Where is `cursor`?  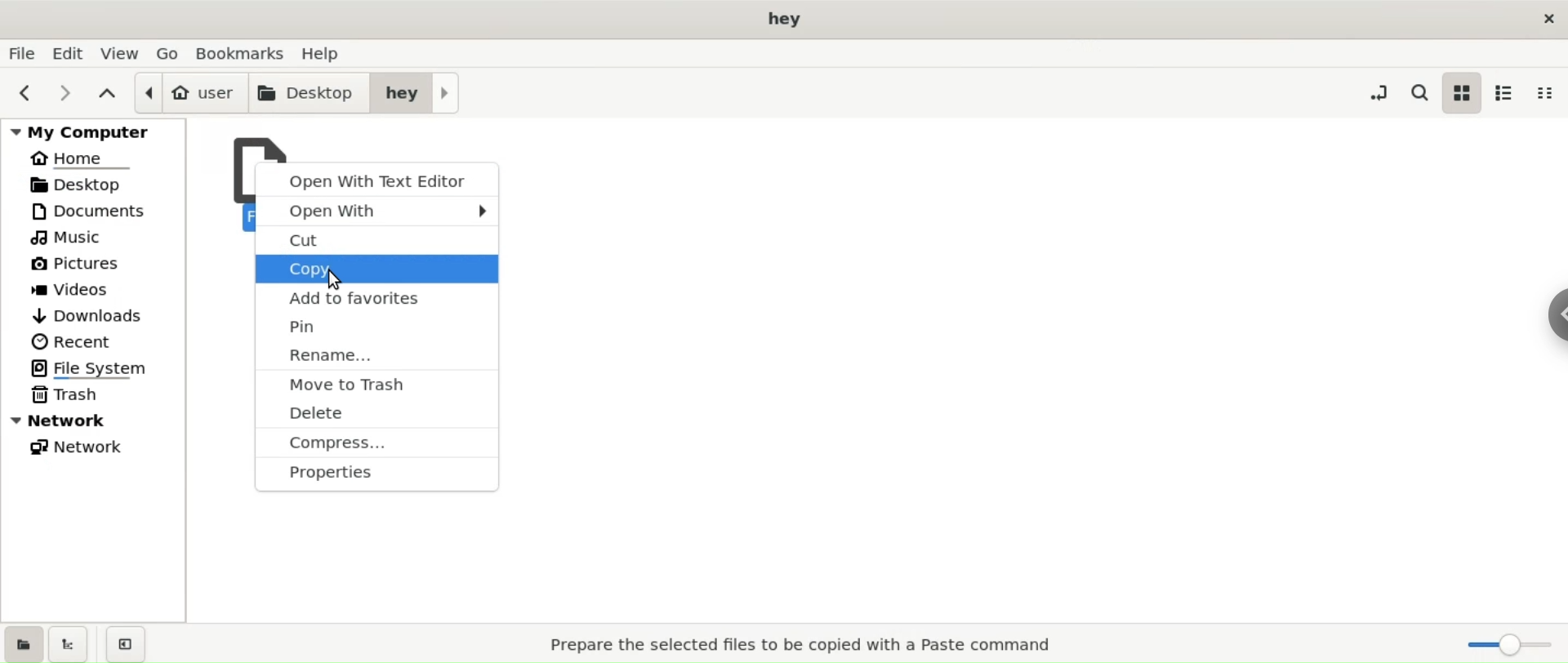
cursor is located at coordinates (335, 282).